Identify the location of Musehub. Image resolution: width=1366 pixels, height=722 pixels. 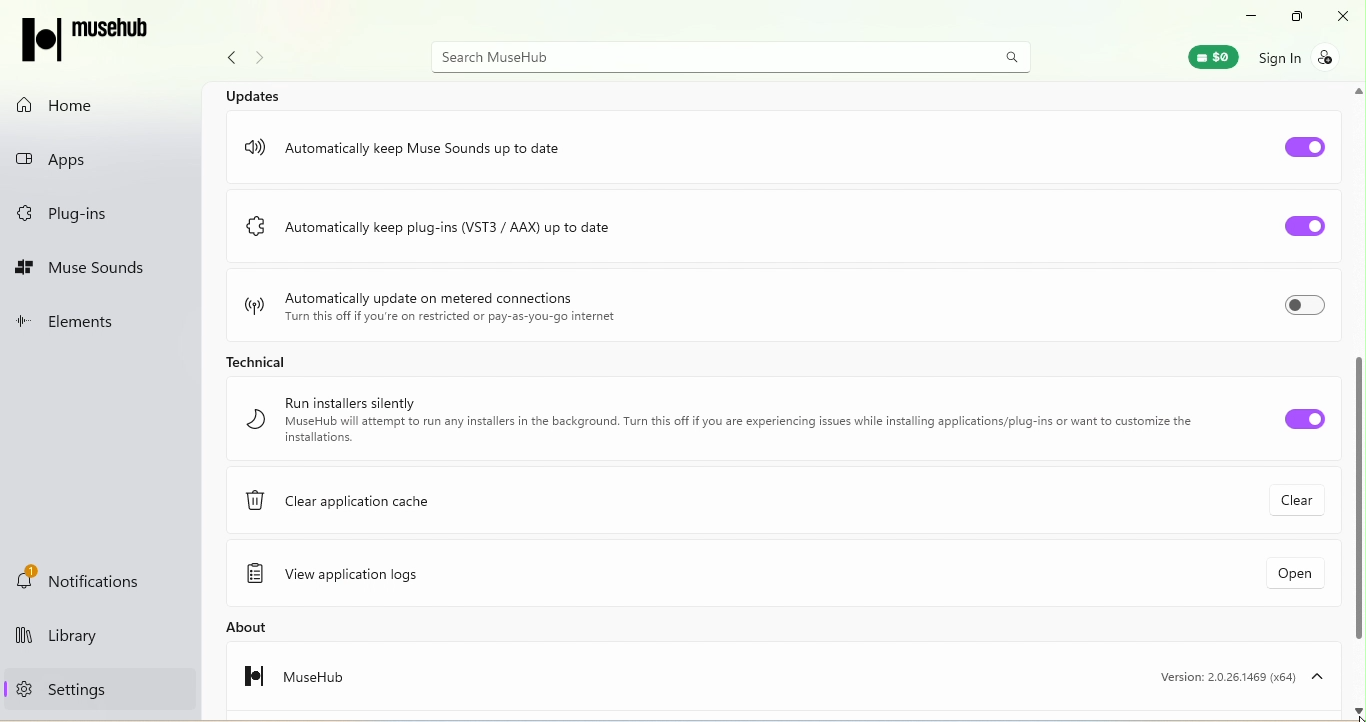
(97, 41).